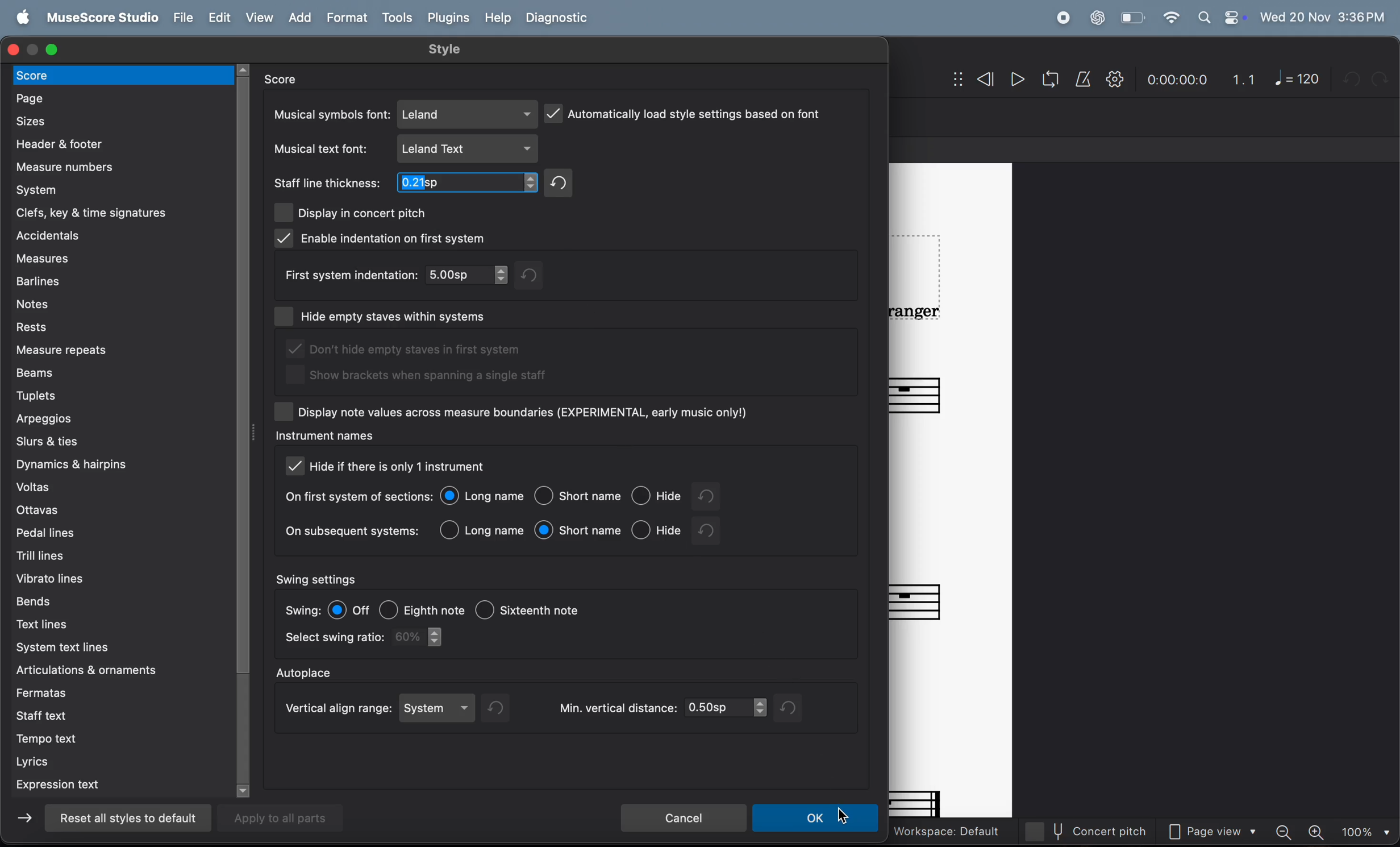  Describe the element at coordinates (1364, 832) in the screenshot. I see `zoom percentage` at that location.